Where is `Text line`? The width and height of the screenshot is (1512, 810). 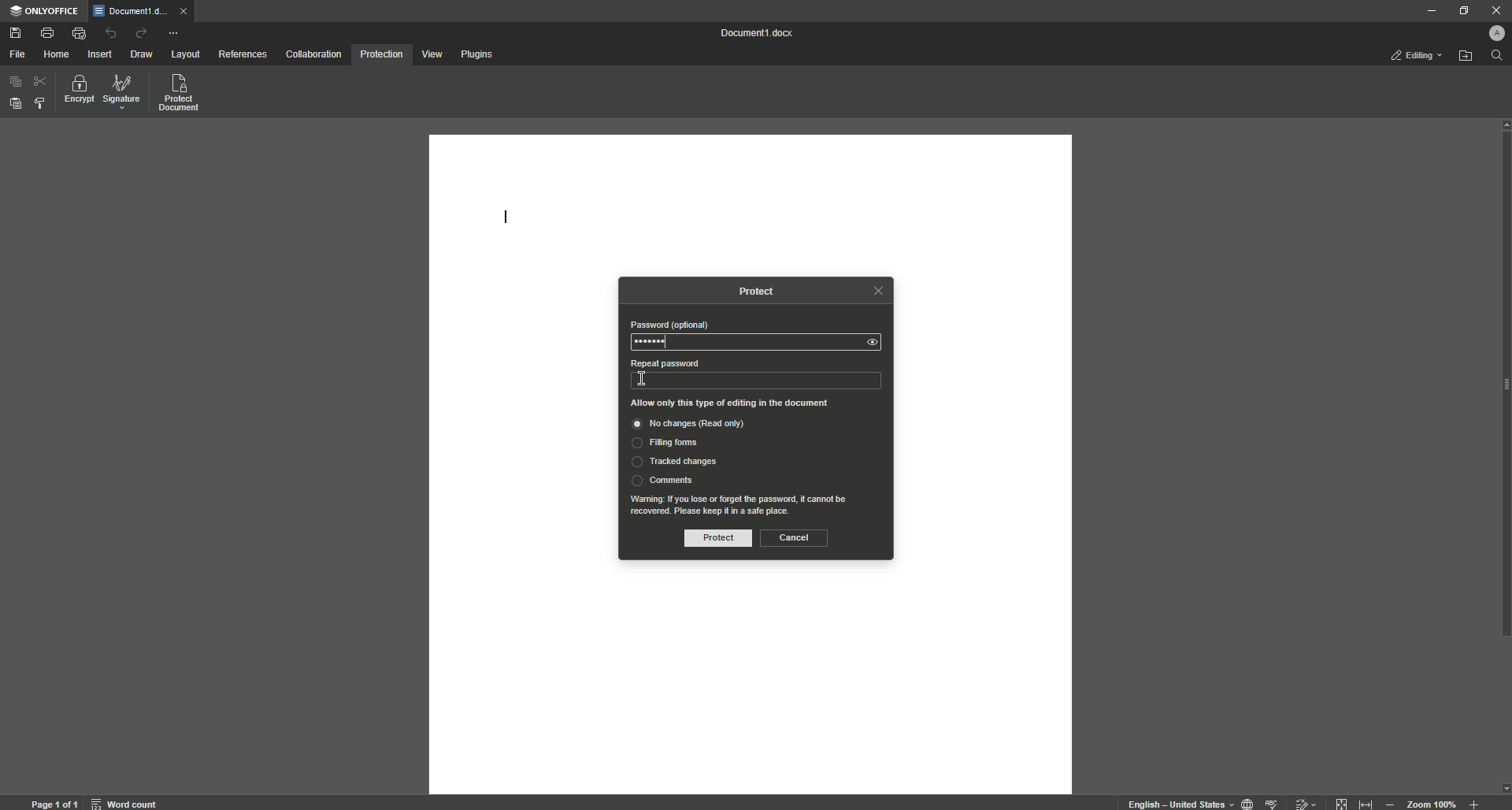 Text line is located at coordinates (508, 220).